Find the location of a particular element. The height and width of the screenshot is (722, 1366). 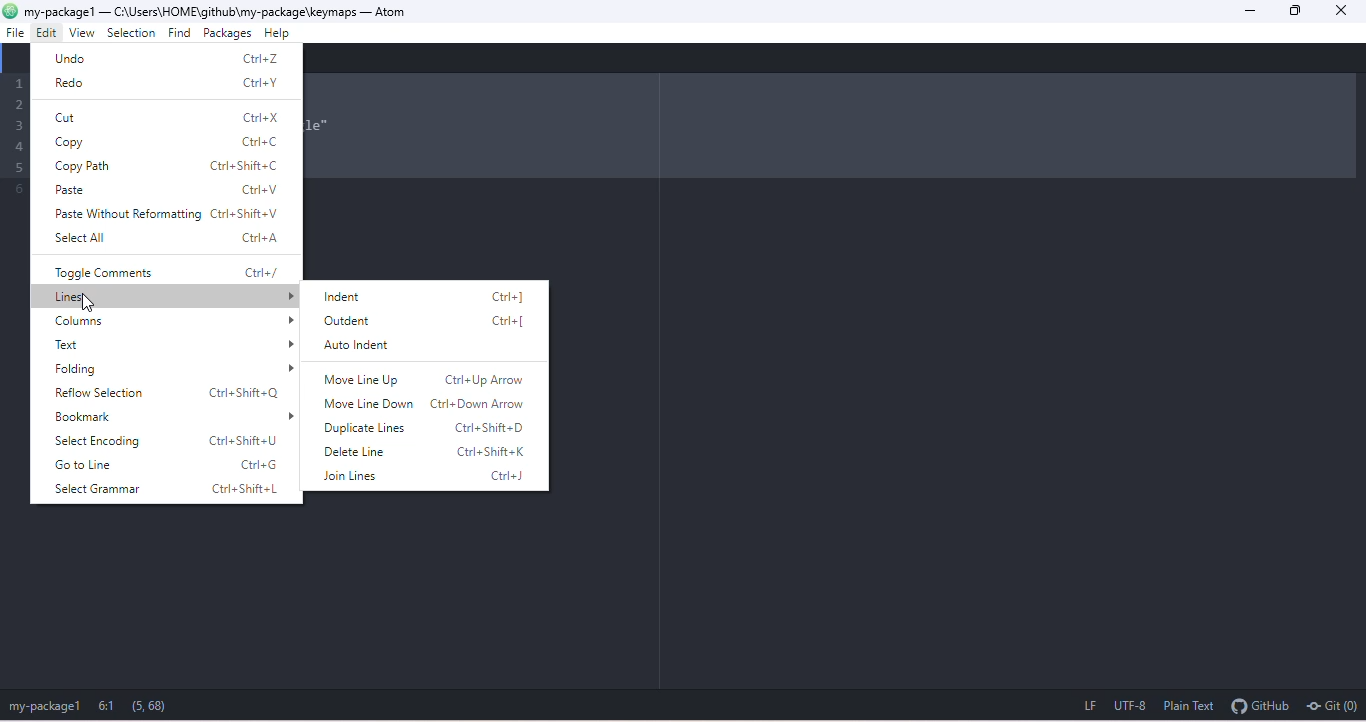

select all is located at coordinates (168, 240).